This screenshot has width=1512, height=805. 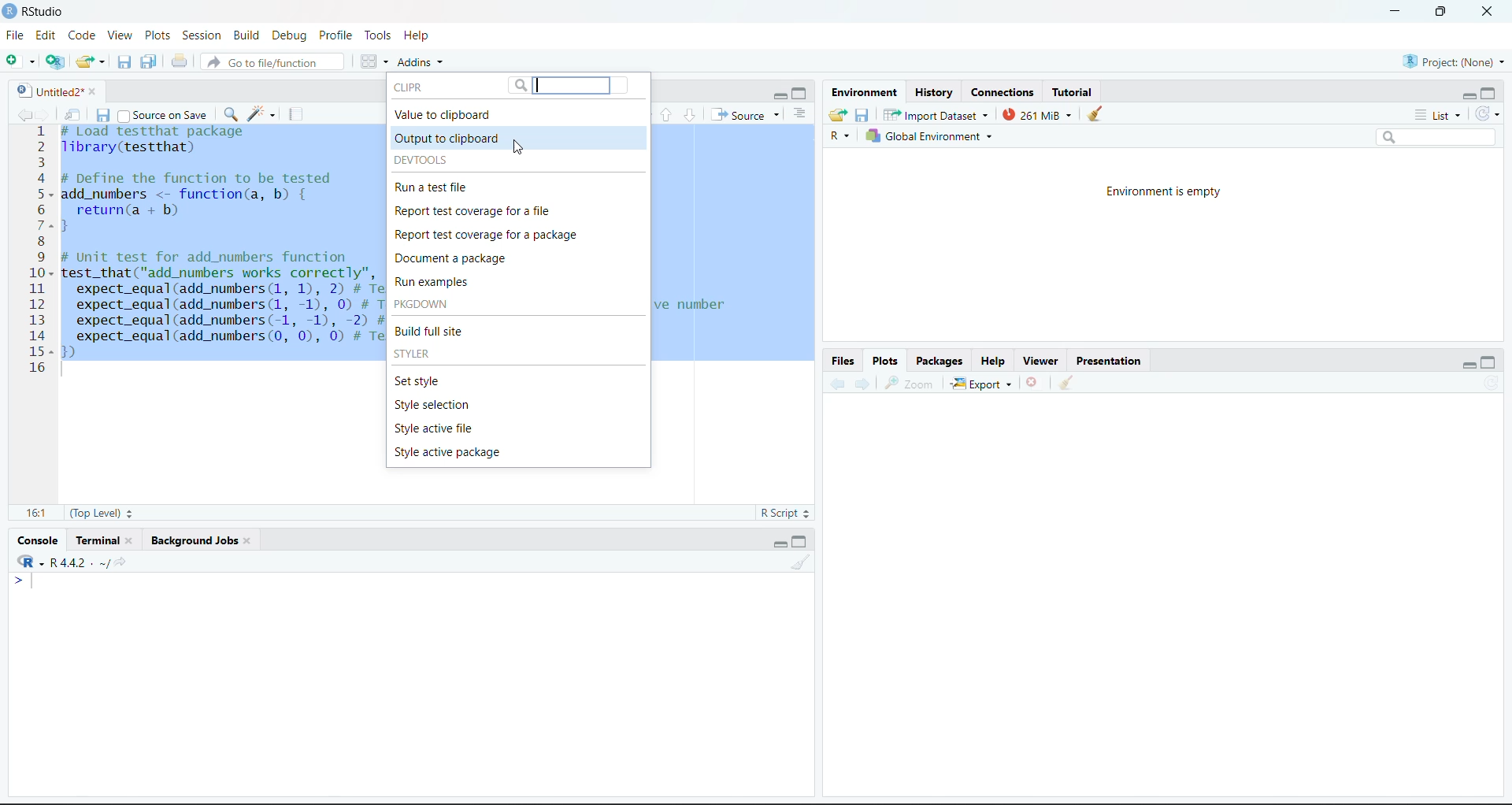 I want to click on Clear workspace, so click(x=802, y=563).